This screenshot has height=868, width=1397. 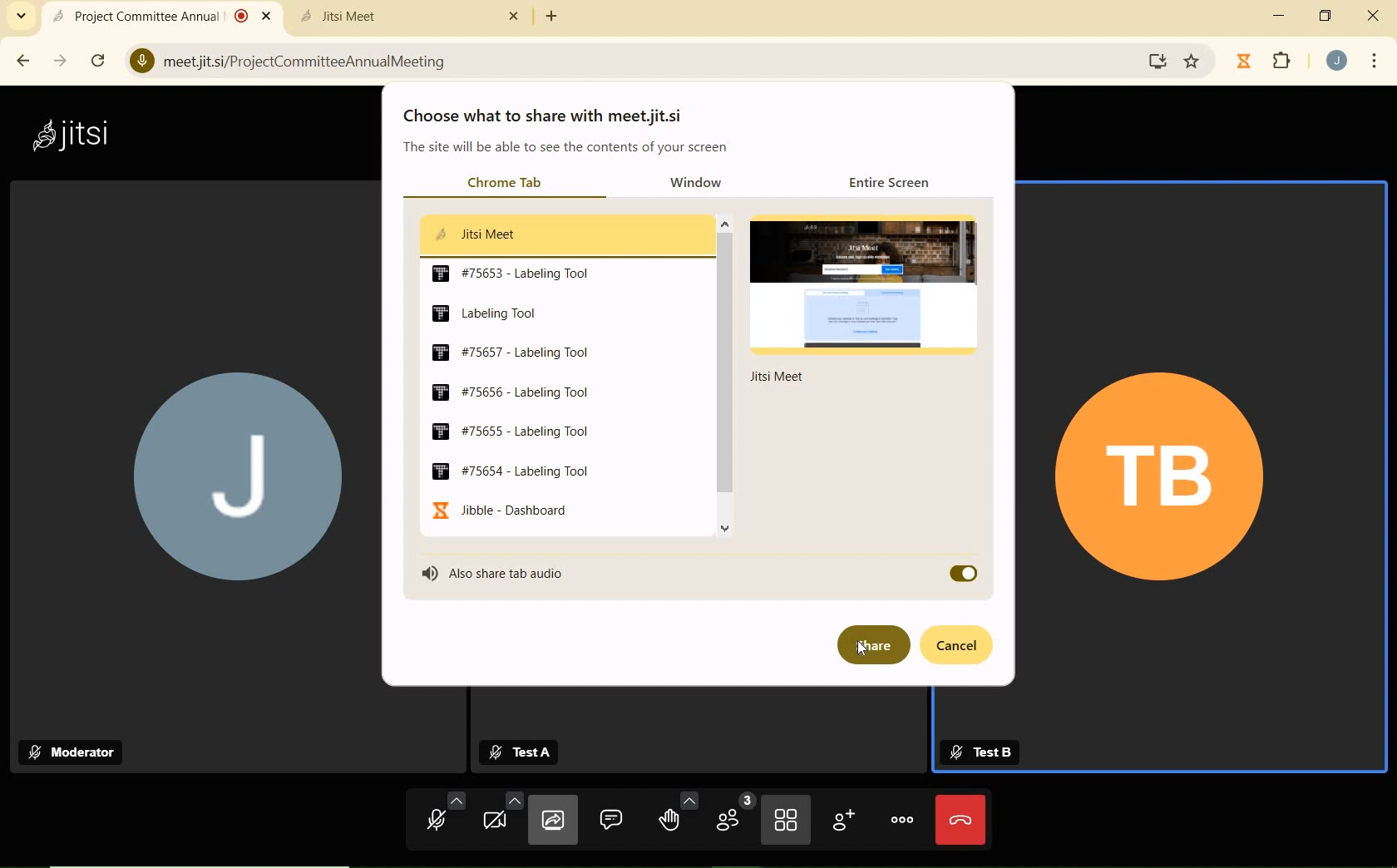 What do you see at coordinates (893, 184) in the screenshot?
I see `entire screen` at bounding box center [893, 184].